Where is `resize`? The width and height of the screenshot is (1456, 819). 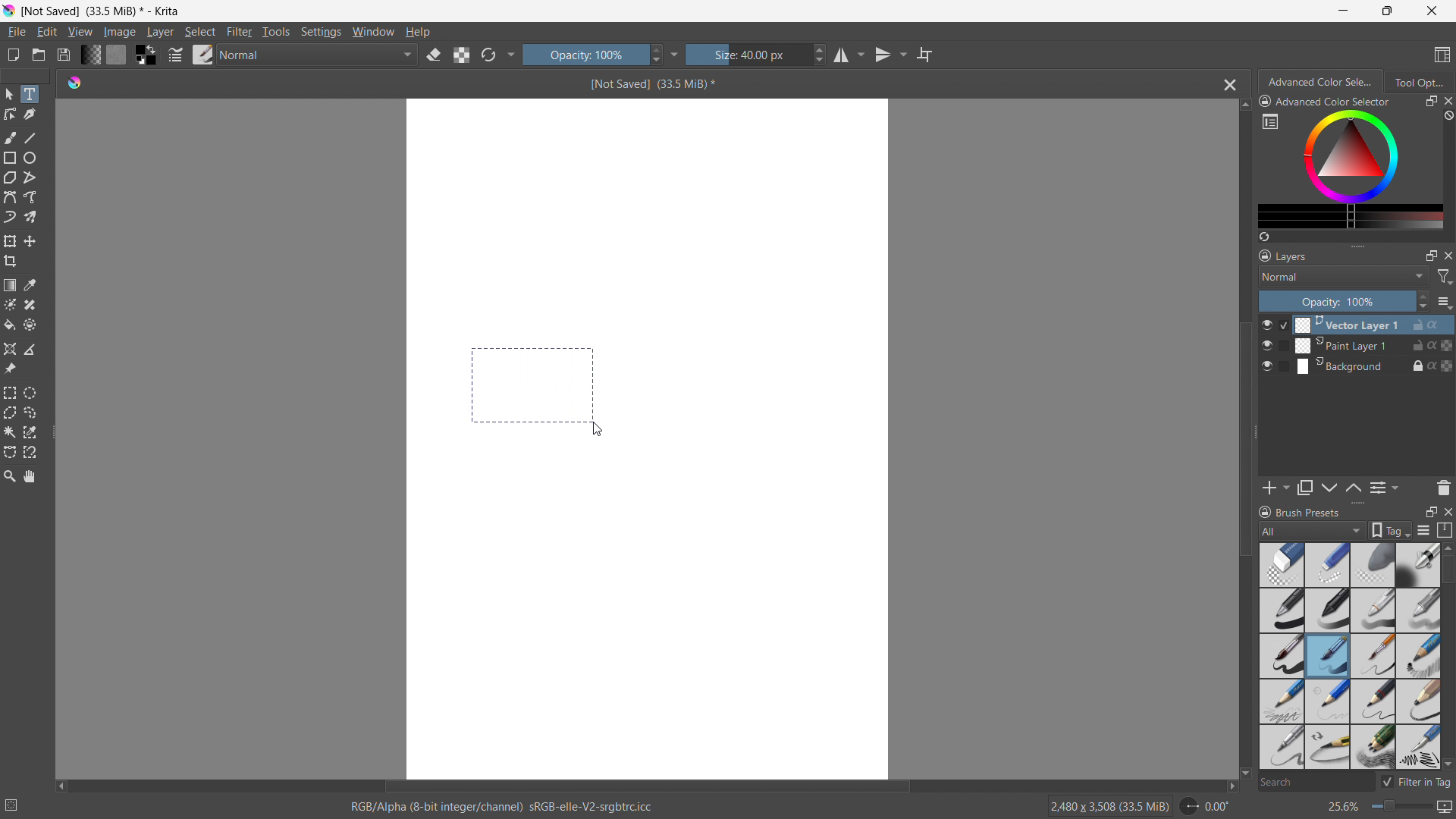 resize is located at coordinates (1256, 433).